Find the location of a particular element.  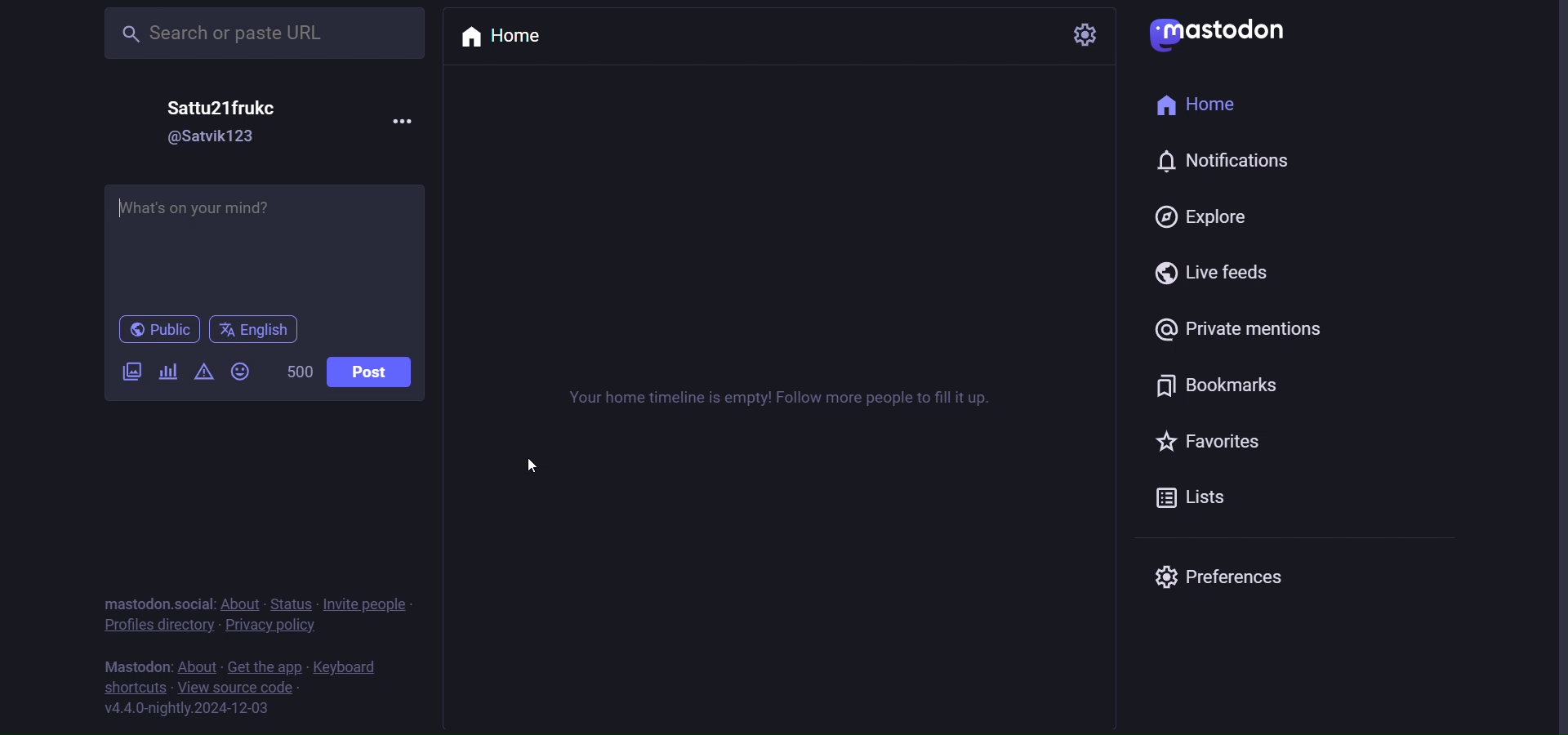

word limit is located at coordinates (300, 374).